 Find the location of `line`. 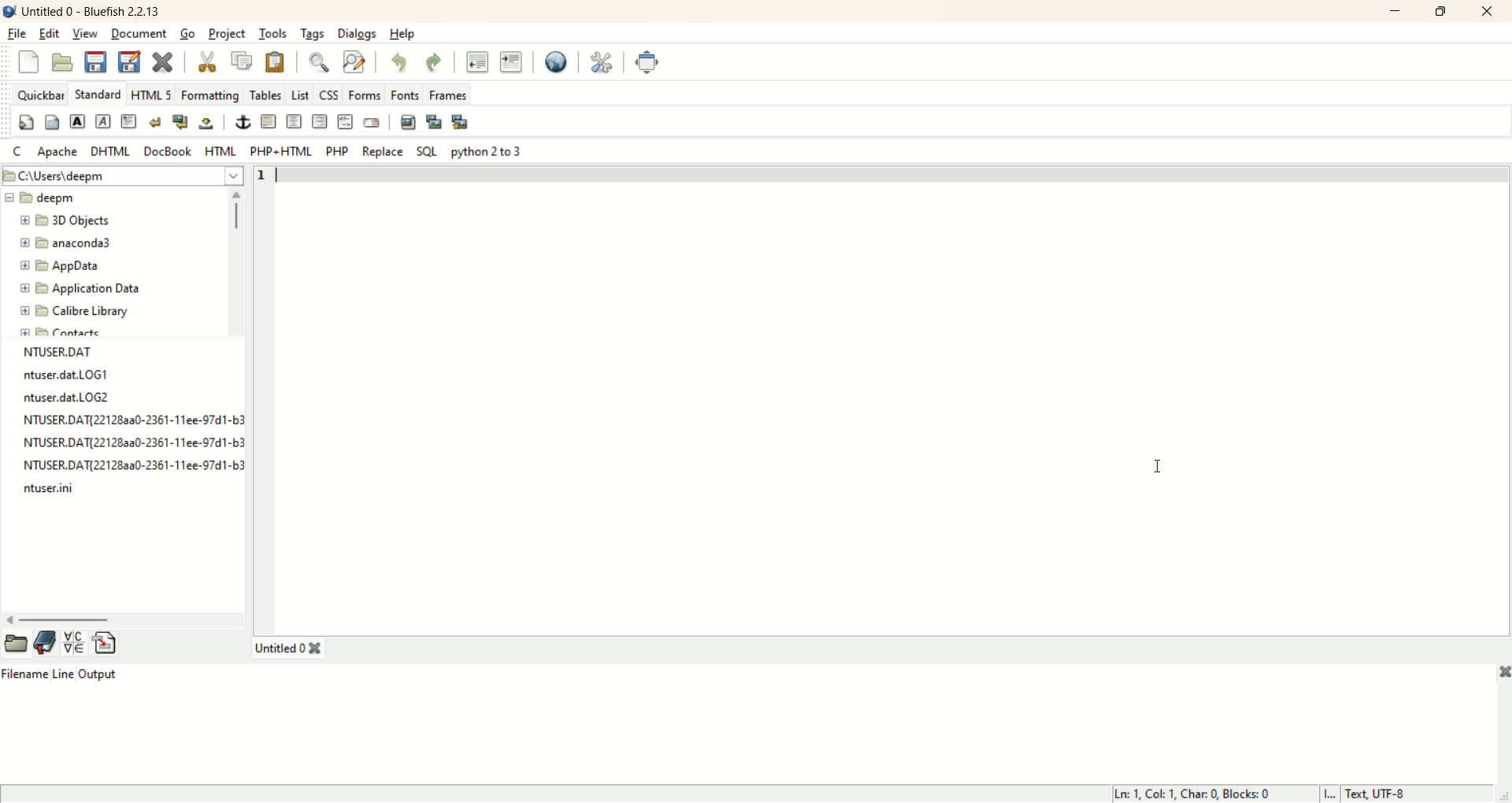

line is located at coordinates (65, 672).